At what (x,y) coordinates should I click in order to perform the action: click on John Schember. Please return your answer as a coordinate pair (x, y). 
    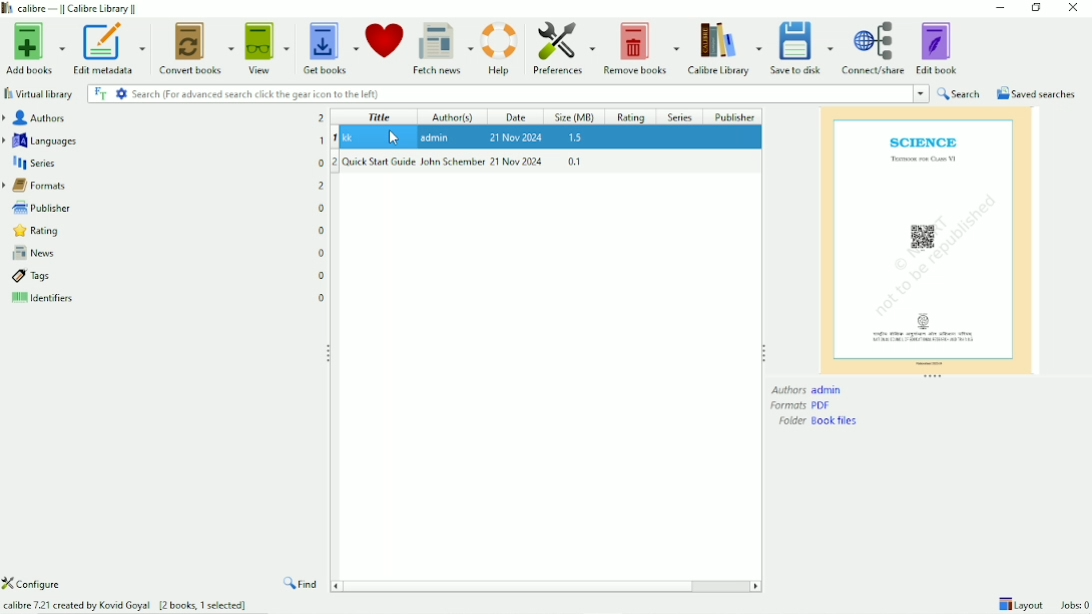
    Looking at the image, I should click on (453, 161).